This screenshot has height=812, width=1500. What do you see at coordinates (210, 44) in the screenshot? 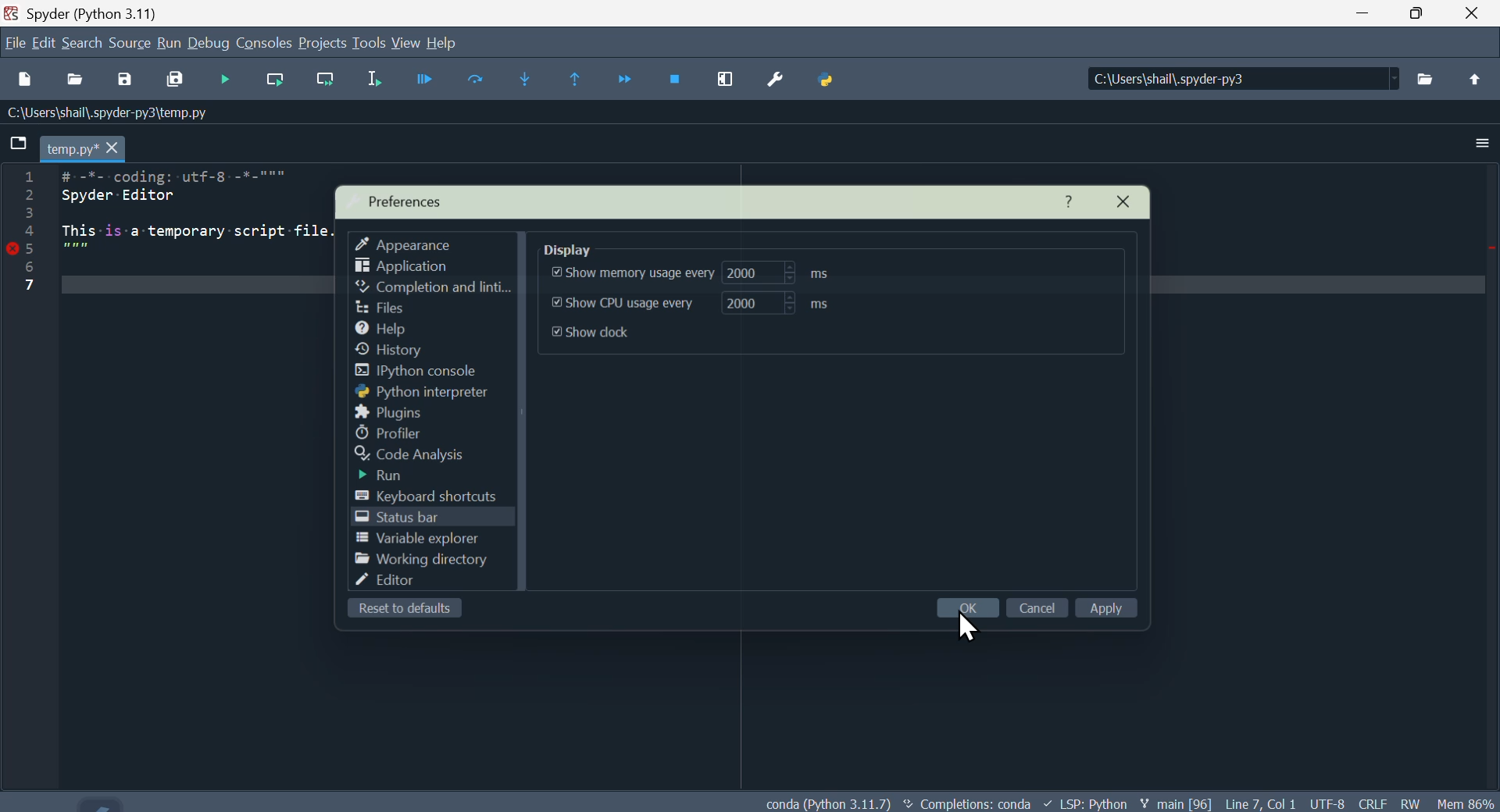
I see `Debug` at bounding box center [210, 44].